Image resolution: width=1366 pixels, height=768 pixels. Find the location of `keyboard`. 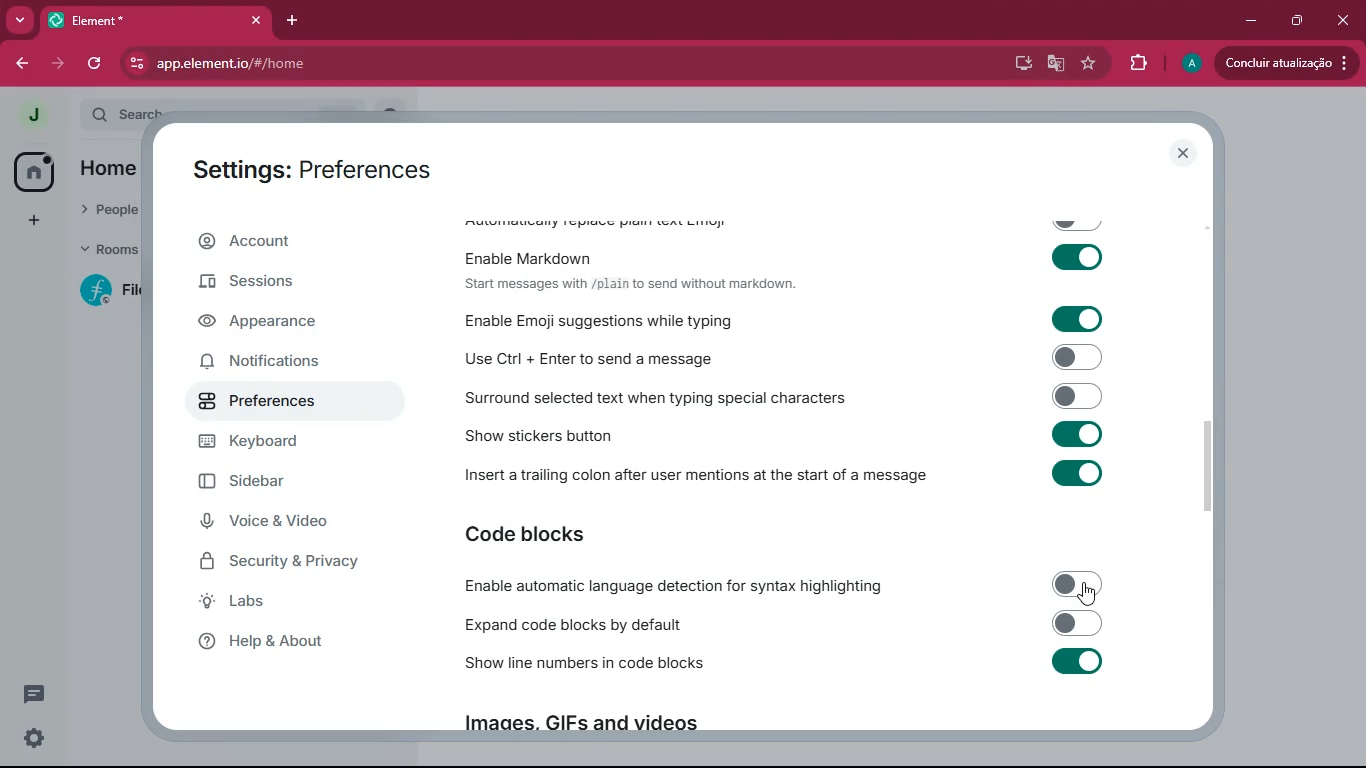

keyboard is located at coordinates (287, 443).